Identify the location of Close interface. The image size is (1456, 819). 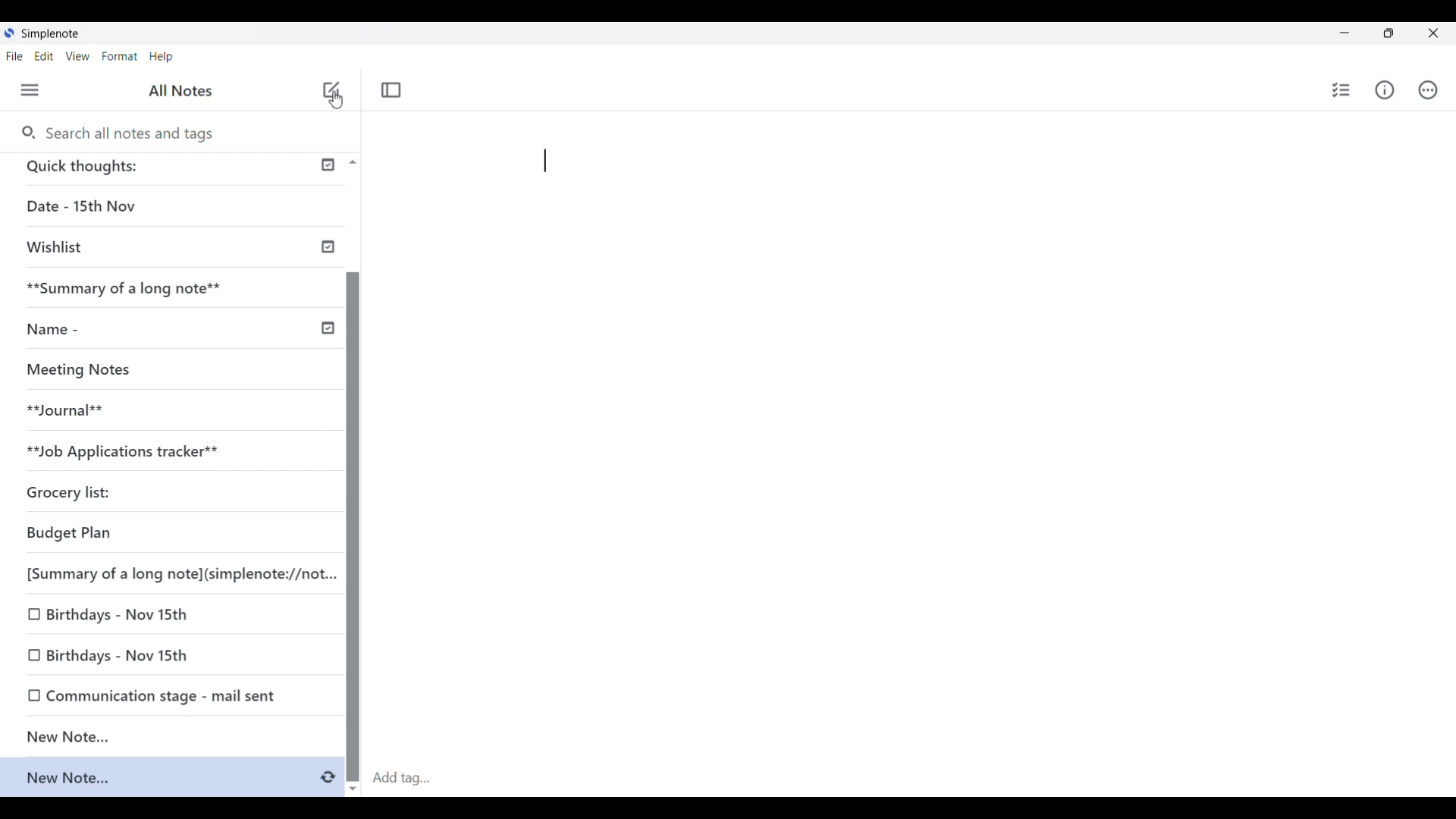
(1433, 33).